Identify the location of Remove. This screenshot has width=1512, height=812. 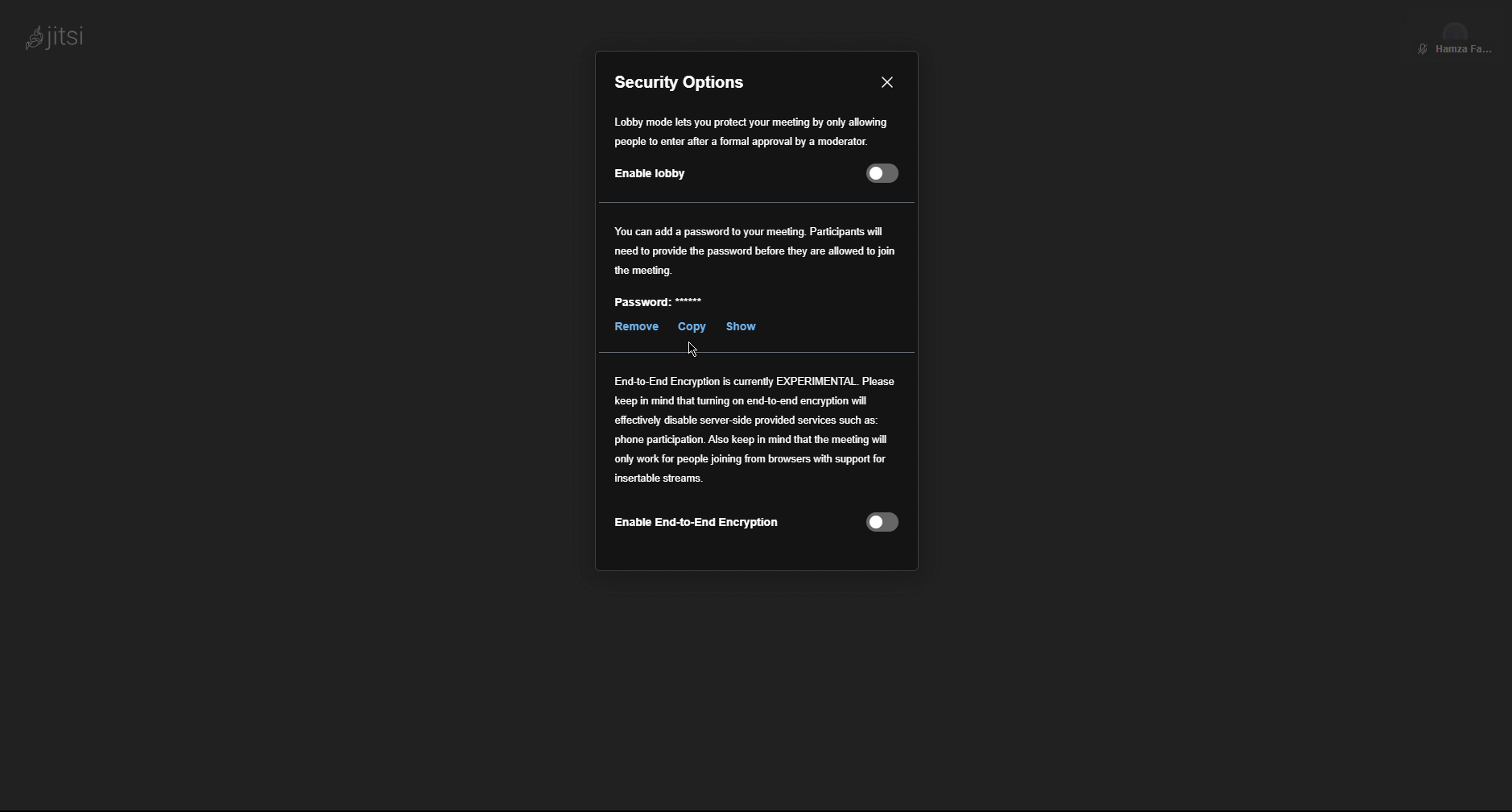
(635, 326).